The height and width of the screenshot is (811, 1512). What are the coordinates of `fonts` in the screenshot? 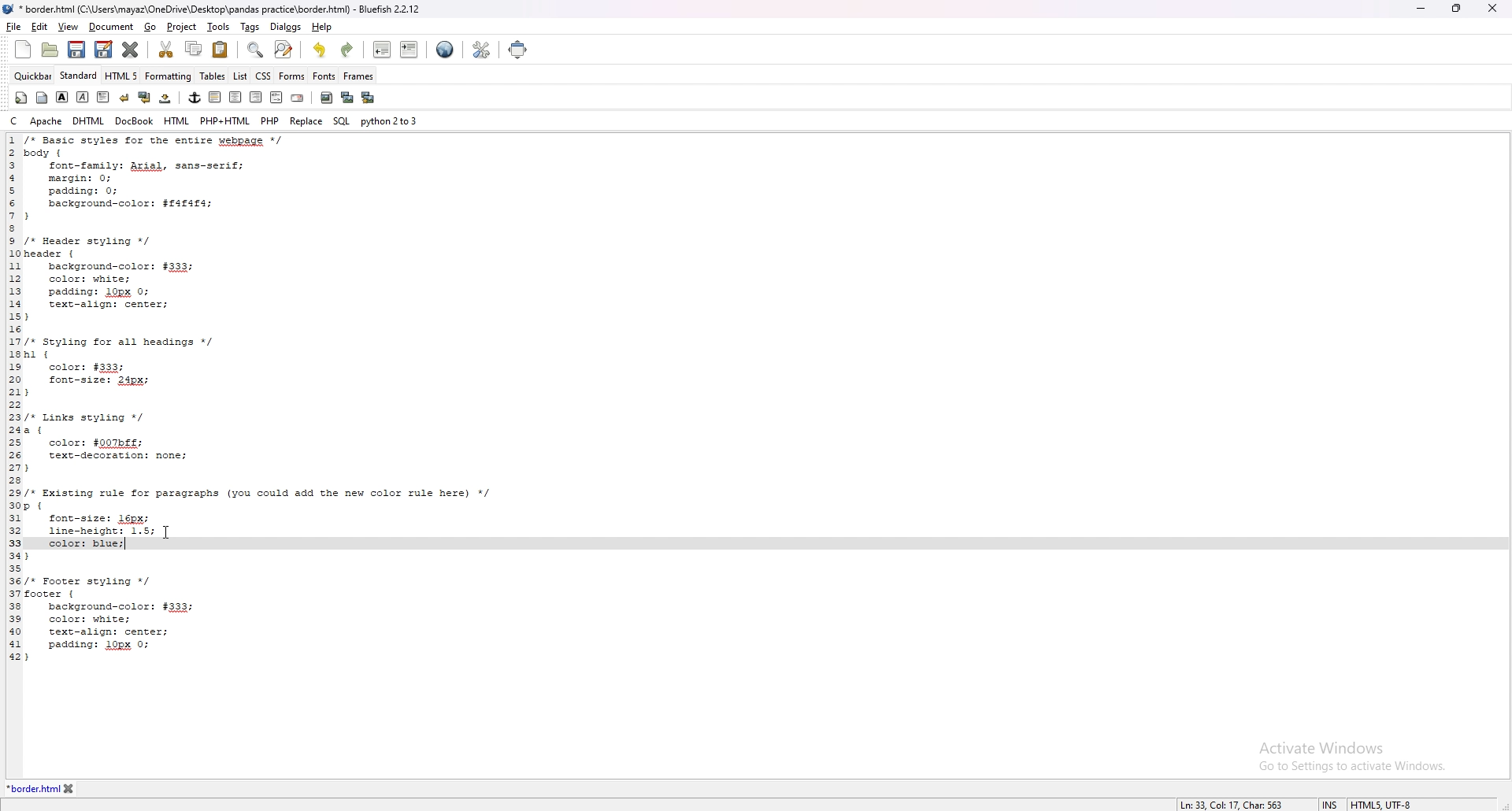 It's located at (324, 76).